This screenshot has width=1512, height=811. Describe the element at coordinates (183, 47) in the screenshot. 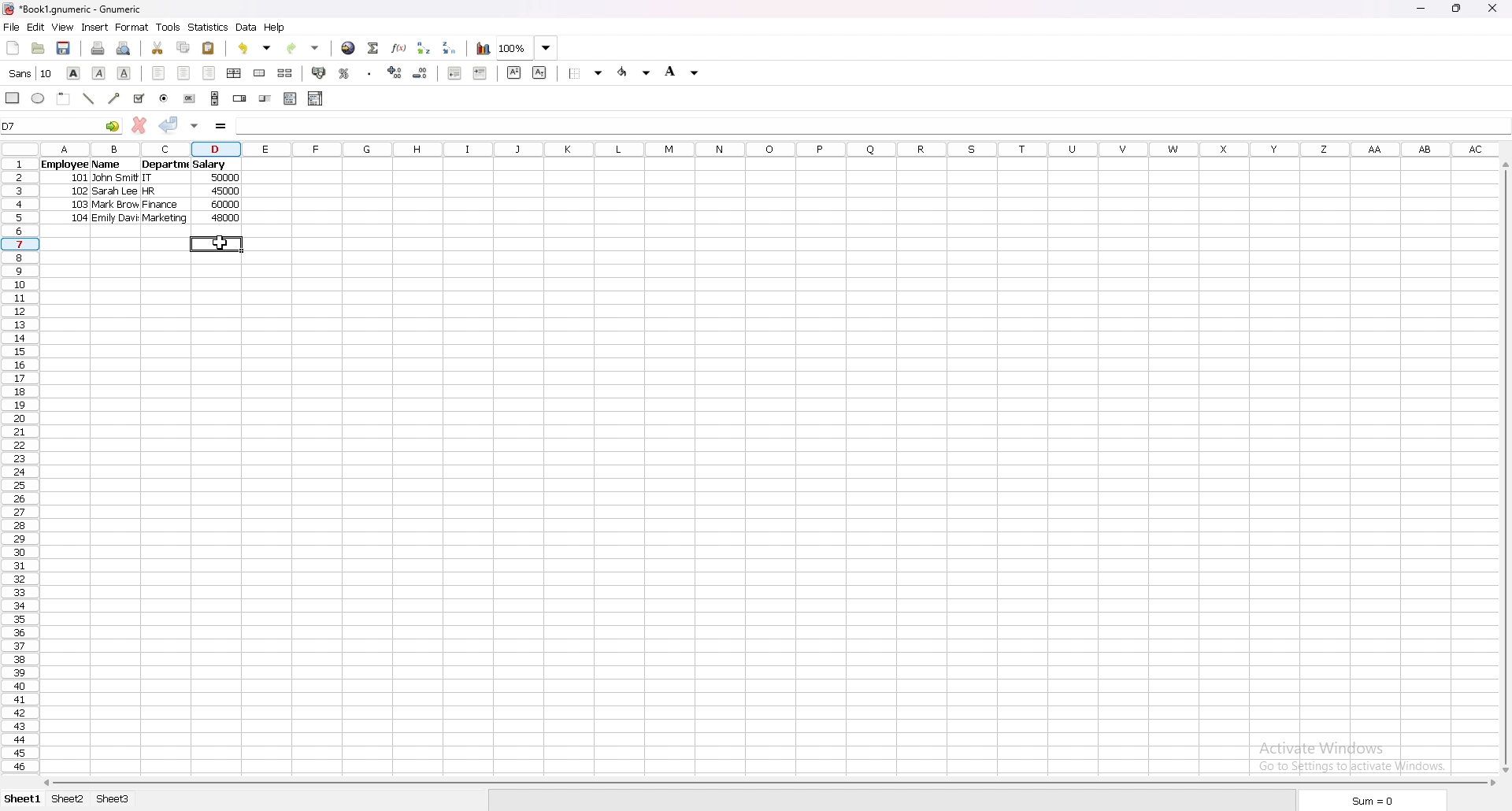

I see `copy` at that location.